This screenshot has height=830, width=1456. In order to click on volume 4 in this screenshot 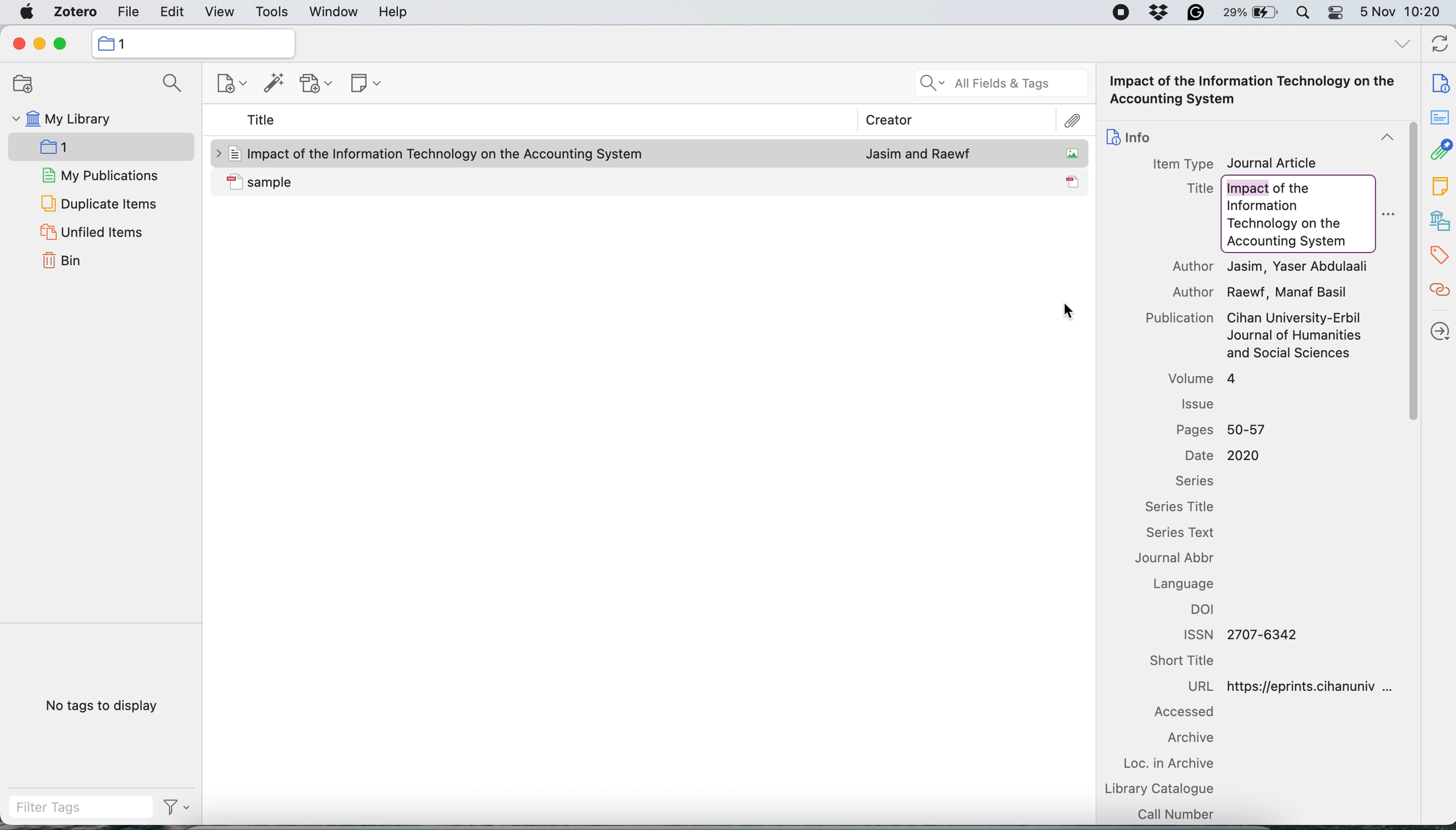, I will do `click(1204, 377)`.